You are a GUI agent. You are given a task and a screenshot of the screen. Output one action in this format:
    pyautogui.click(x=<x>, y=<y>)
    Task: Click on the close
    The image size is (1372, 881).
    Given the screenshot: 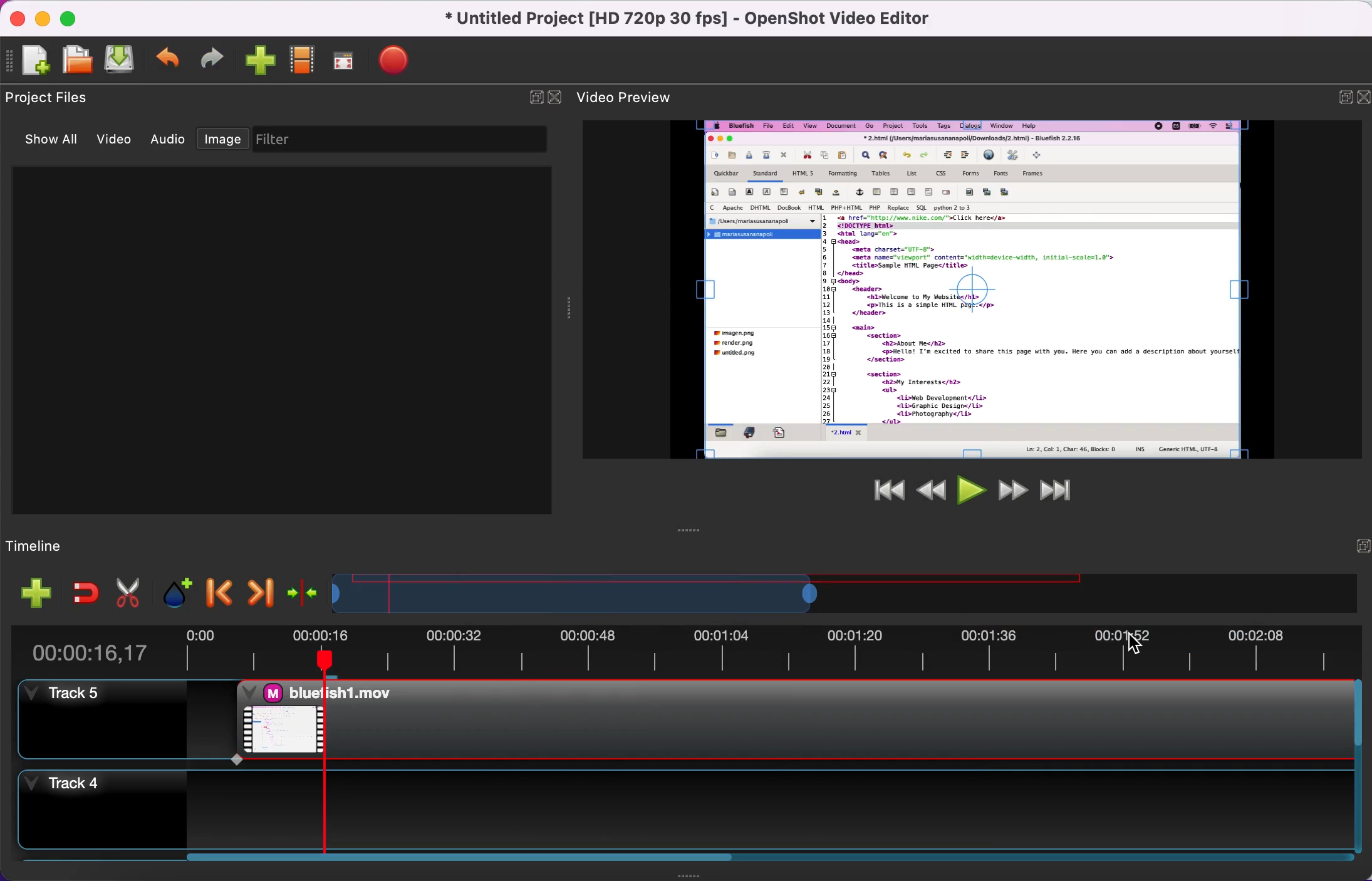 What is the action you would take?
    pyautogui.click(x=1361, y=98)
    